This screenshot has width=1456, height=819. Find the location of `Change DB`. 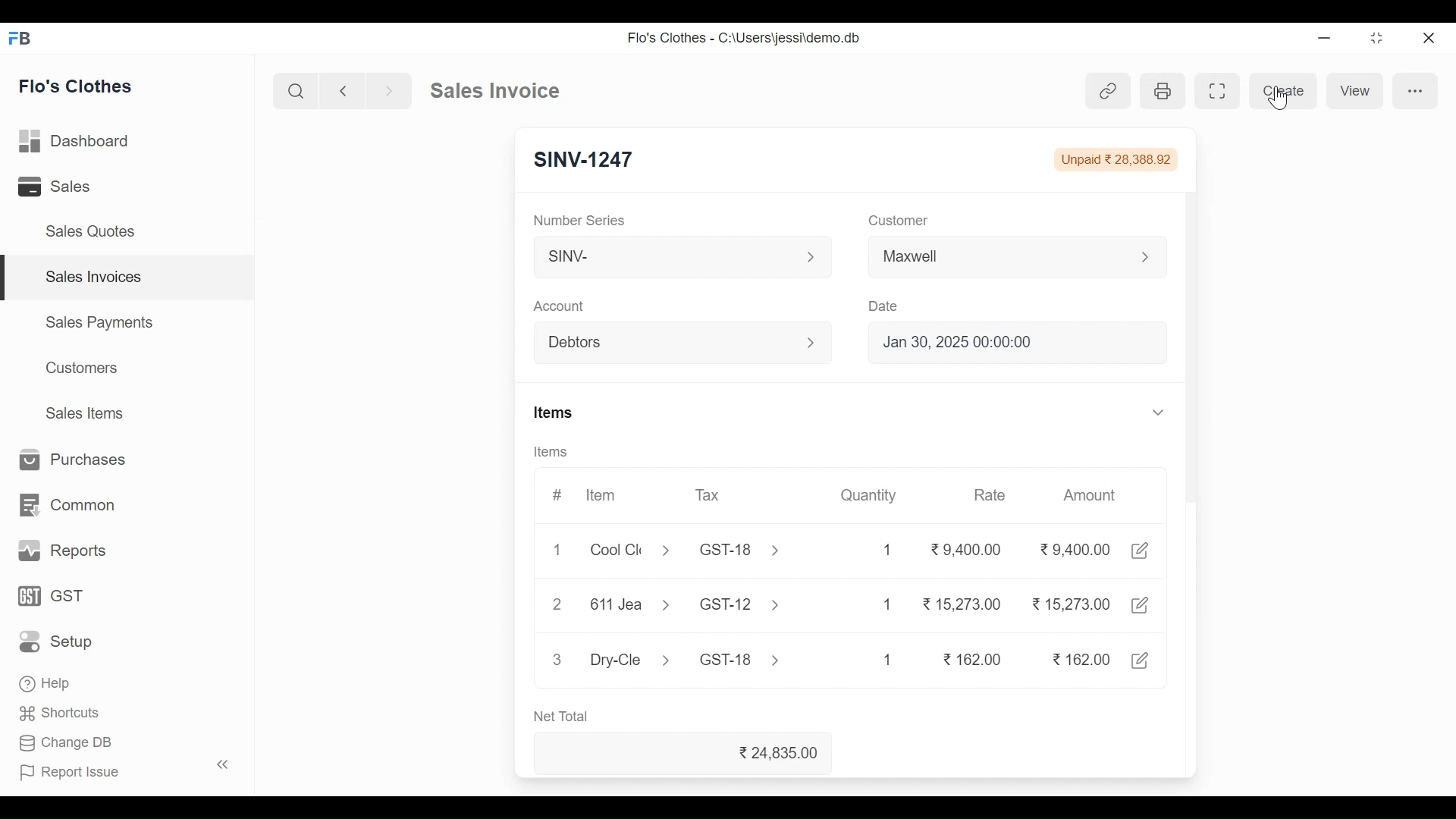

Change DB is located at coordinates (67, 745).